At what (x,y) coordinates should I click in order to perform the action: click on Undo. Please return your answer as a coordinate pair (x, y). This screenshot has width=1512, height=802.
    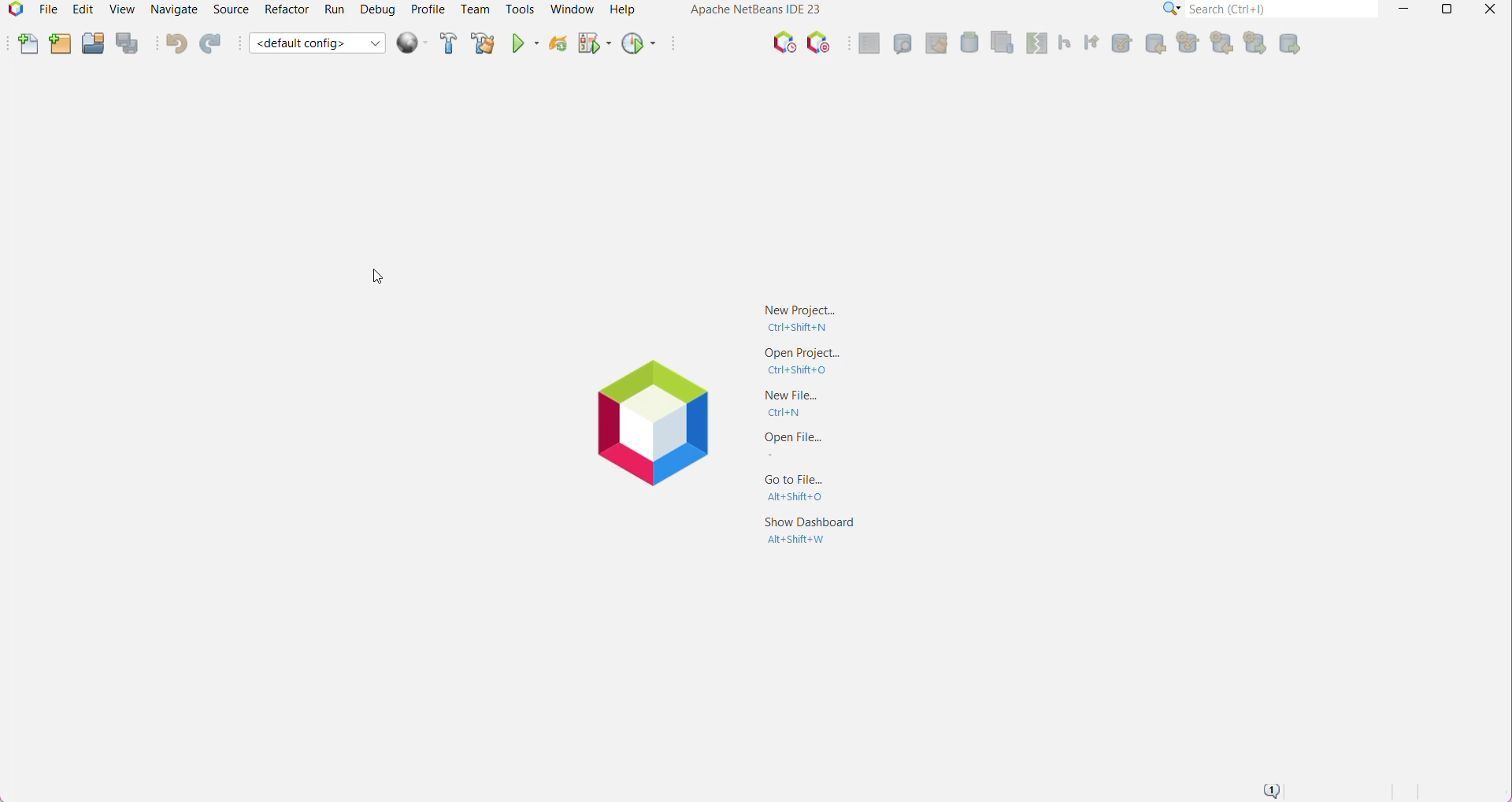
    Looking at the image, I should click on (175, 43).